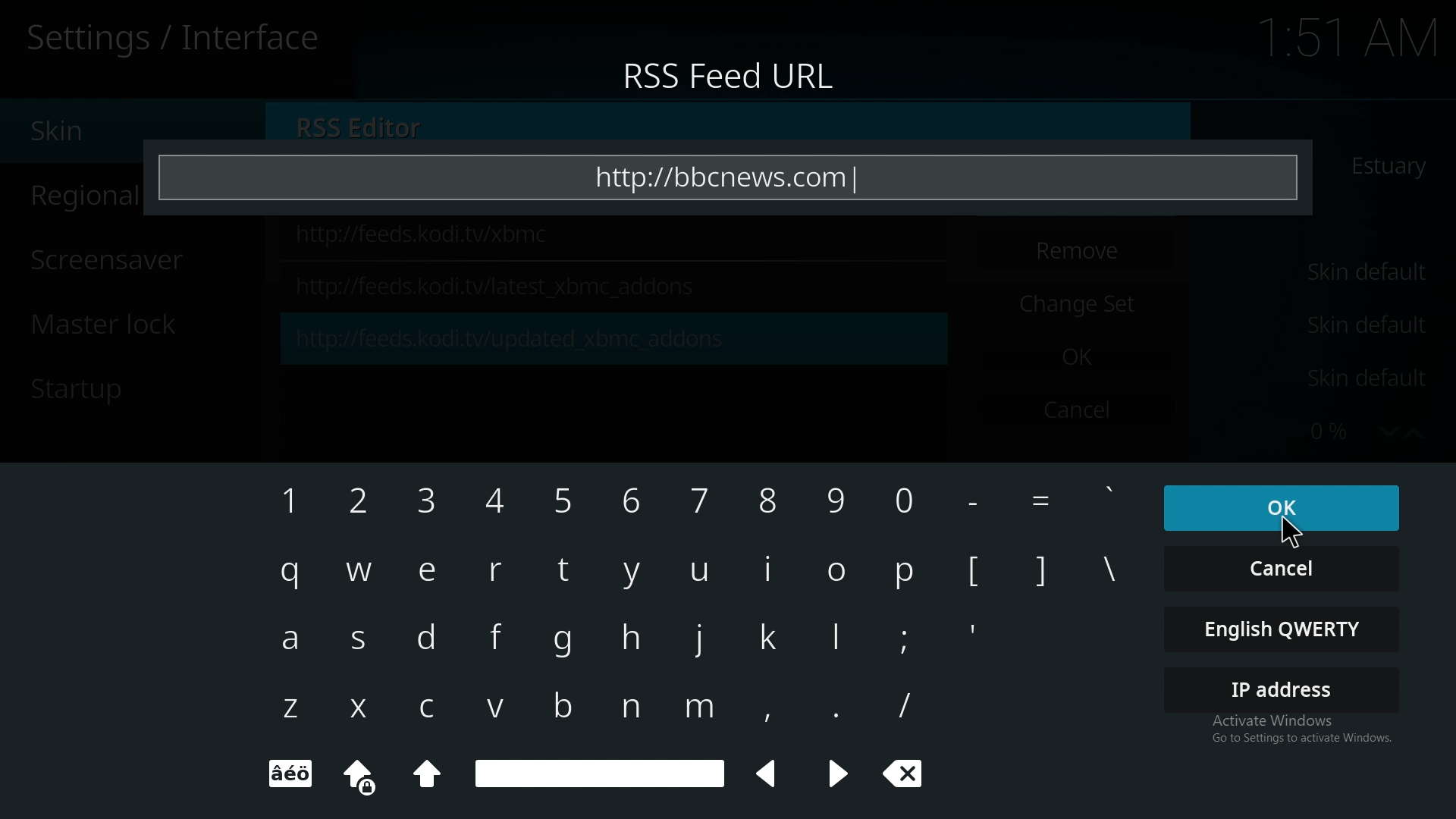 The image size is (1456, 819). What do you see at coordinates (353, 708) in the screenshot?
I see `x` at bounding box center [353, 708].